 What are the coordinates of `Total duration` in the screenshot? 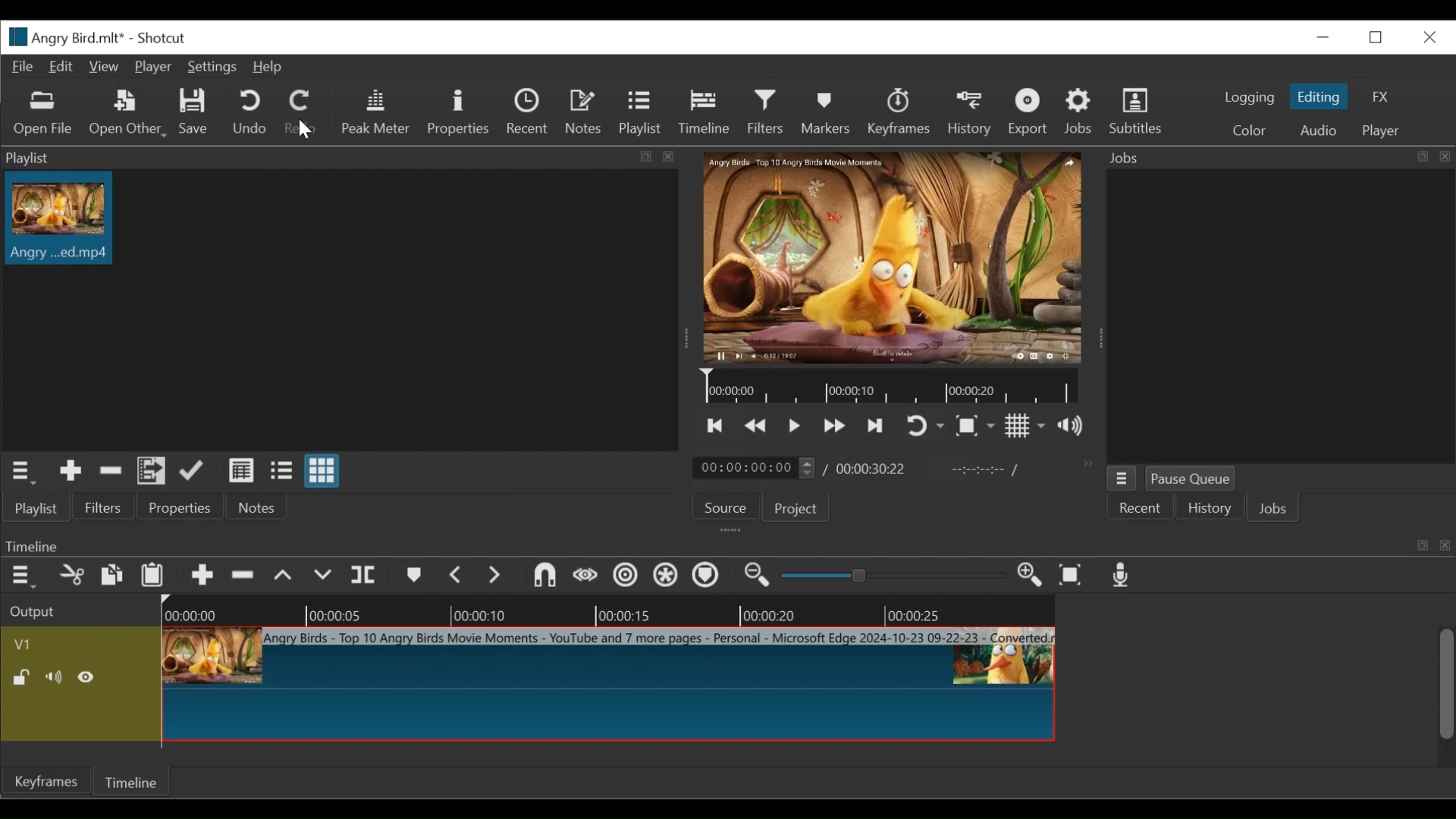 It's located at (872, 469).